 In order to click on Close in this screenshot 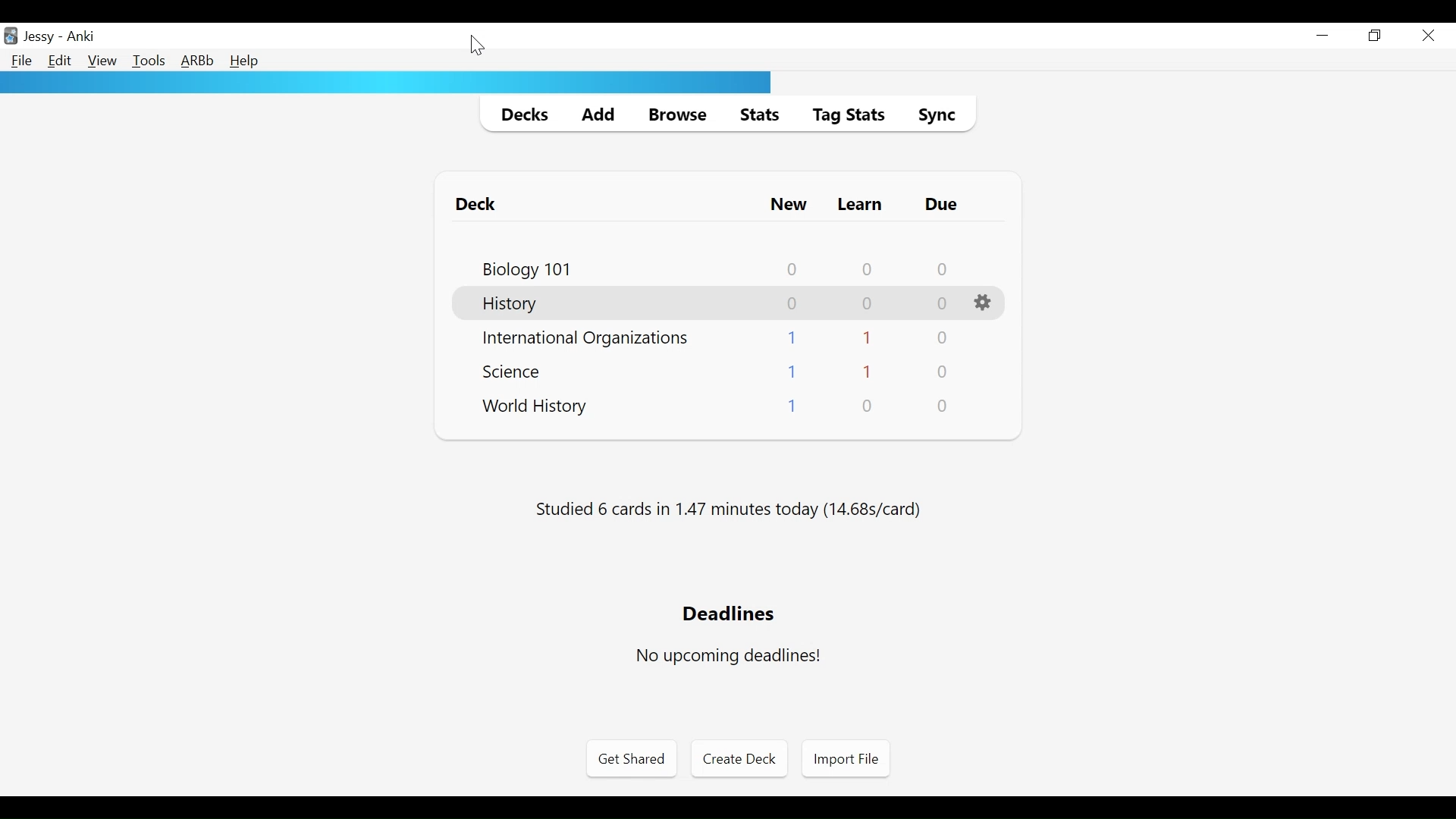, I will do `click(1429, 35)`.